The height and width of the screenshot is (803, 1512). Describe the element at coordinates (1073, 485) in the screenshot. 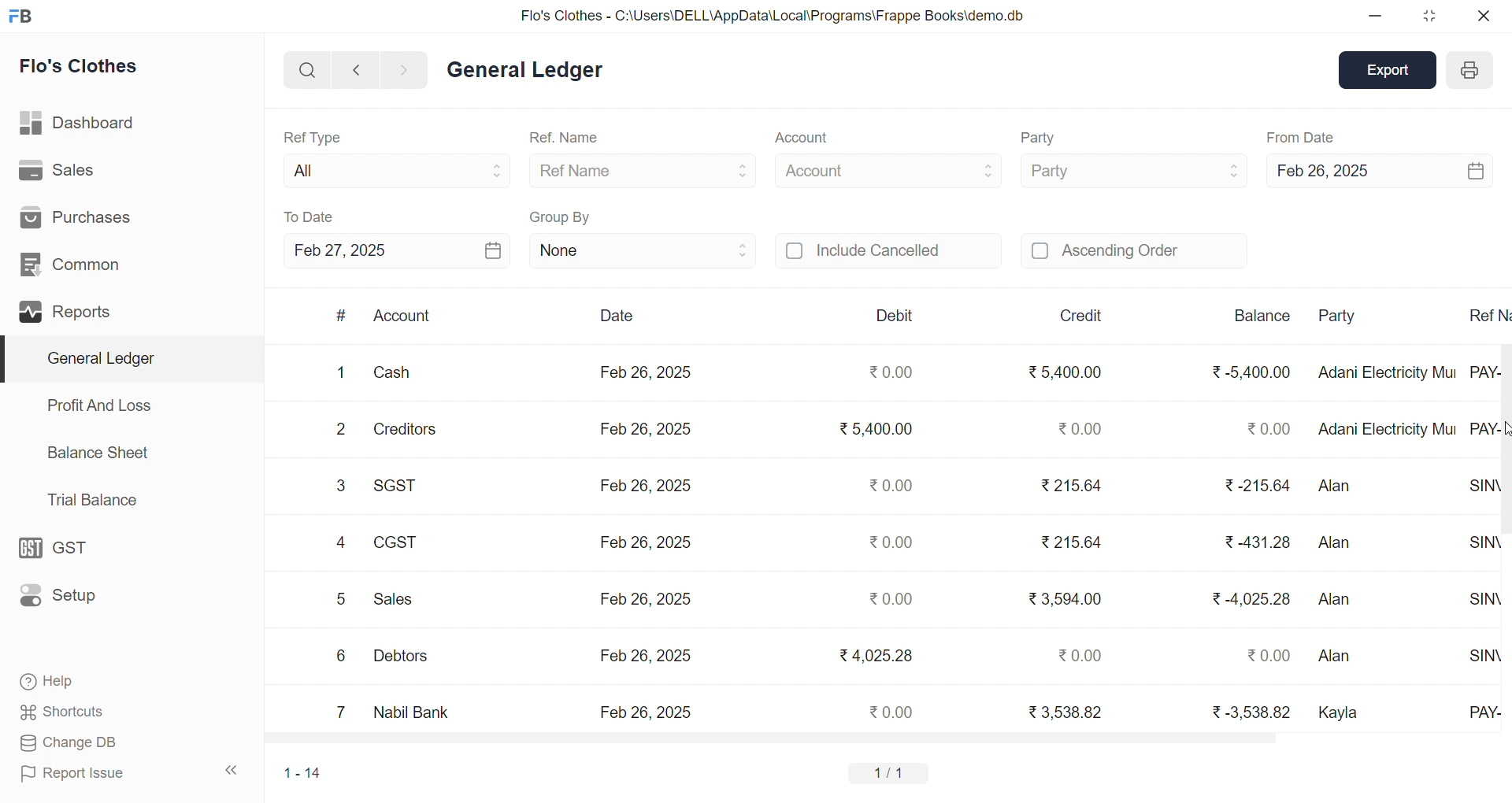

I see `₹215.64` at that location.